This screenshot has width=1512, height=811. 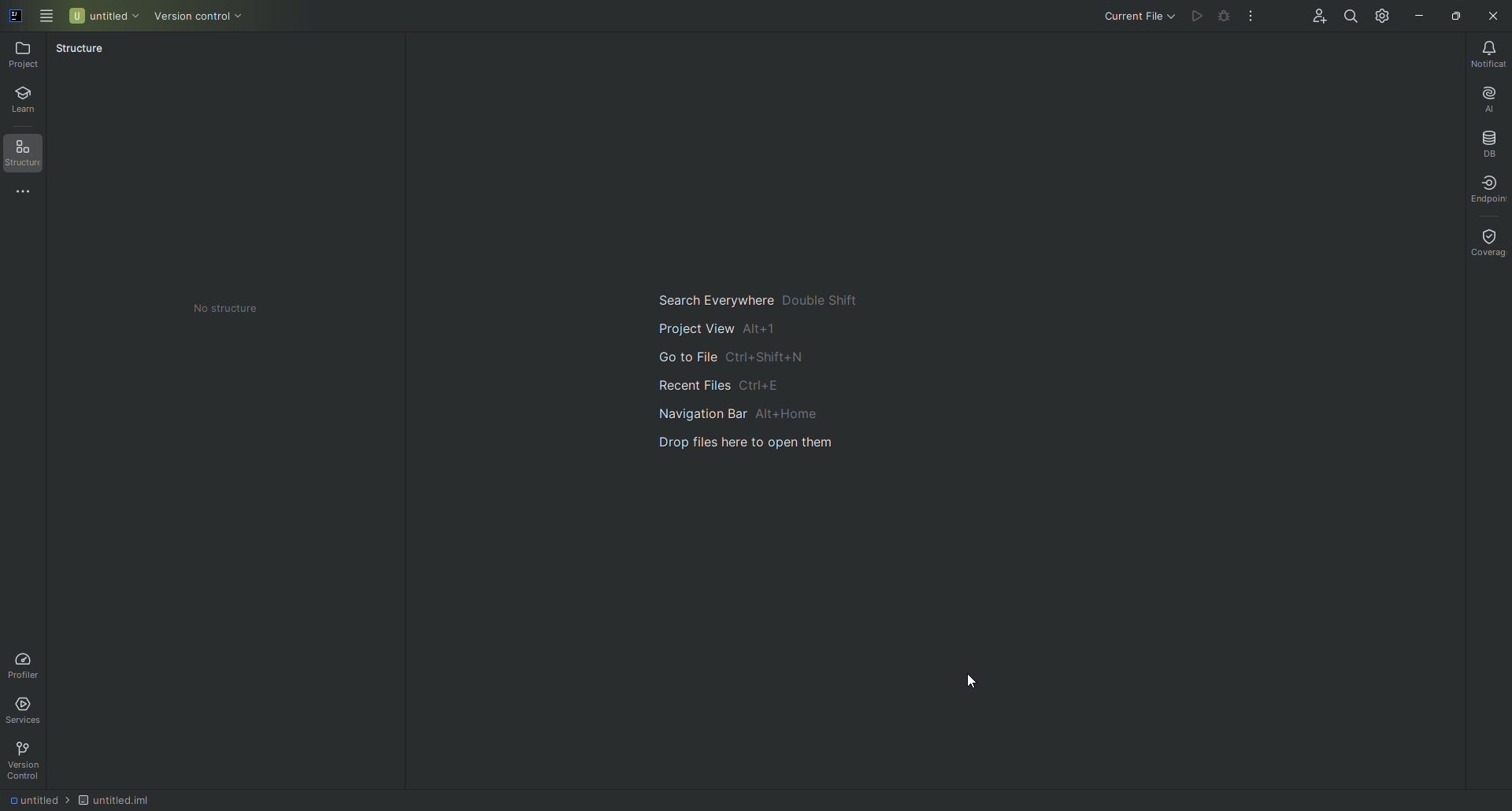 What do you see at coordinates (969, 680) in the screenshot?
I see `Pointer` at bounding box center [969, 680].